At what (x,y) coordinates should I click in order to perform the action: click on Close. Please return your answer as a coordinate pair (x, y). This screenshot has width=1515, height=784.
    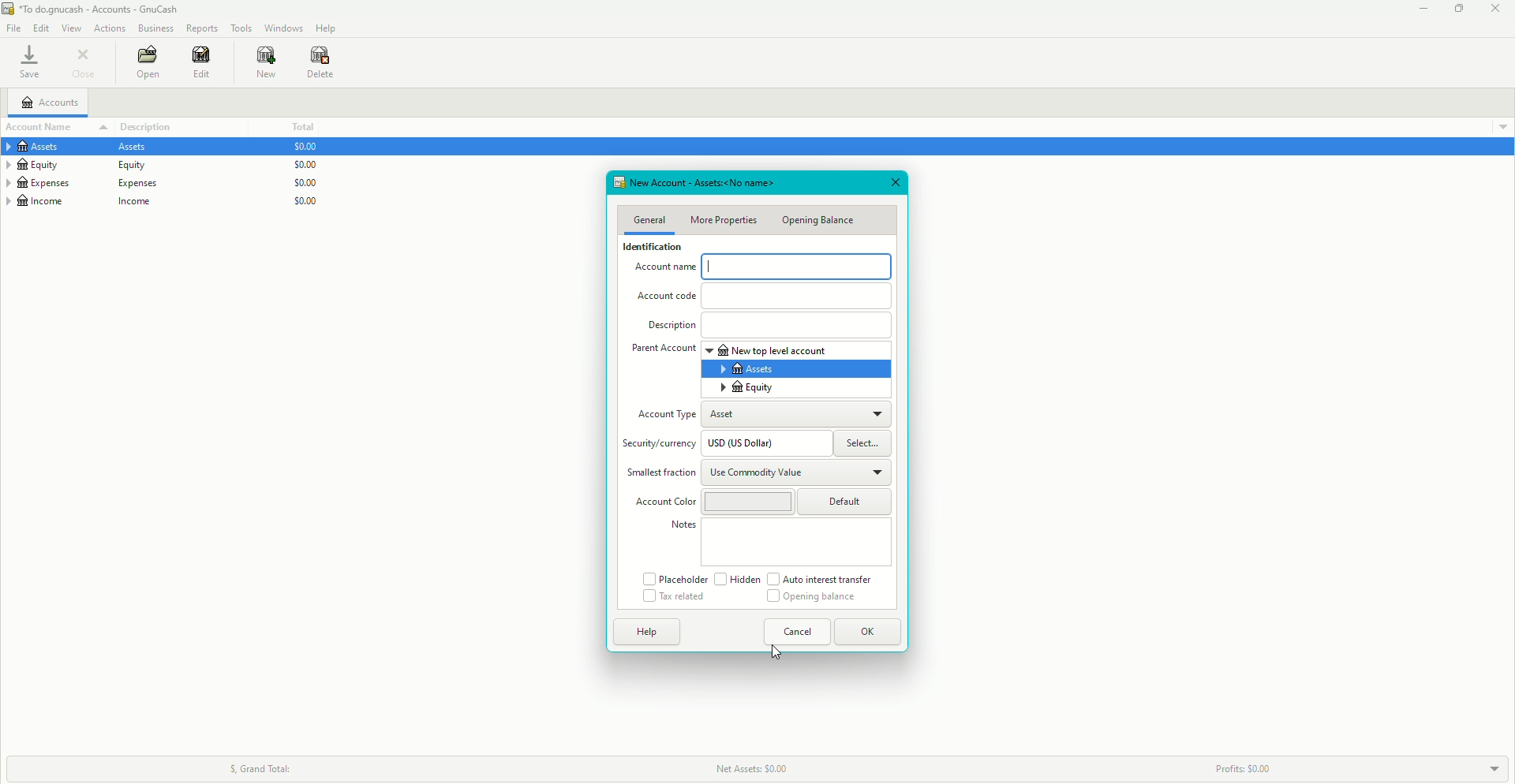
    Looking at the image, I should click on (896, 182).